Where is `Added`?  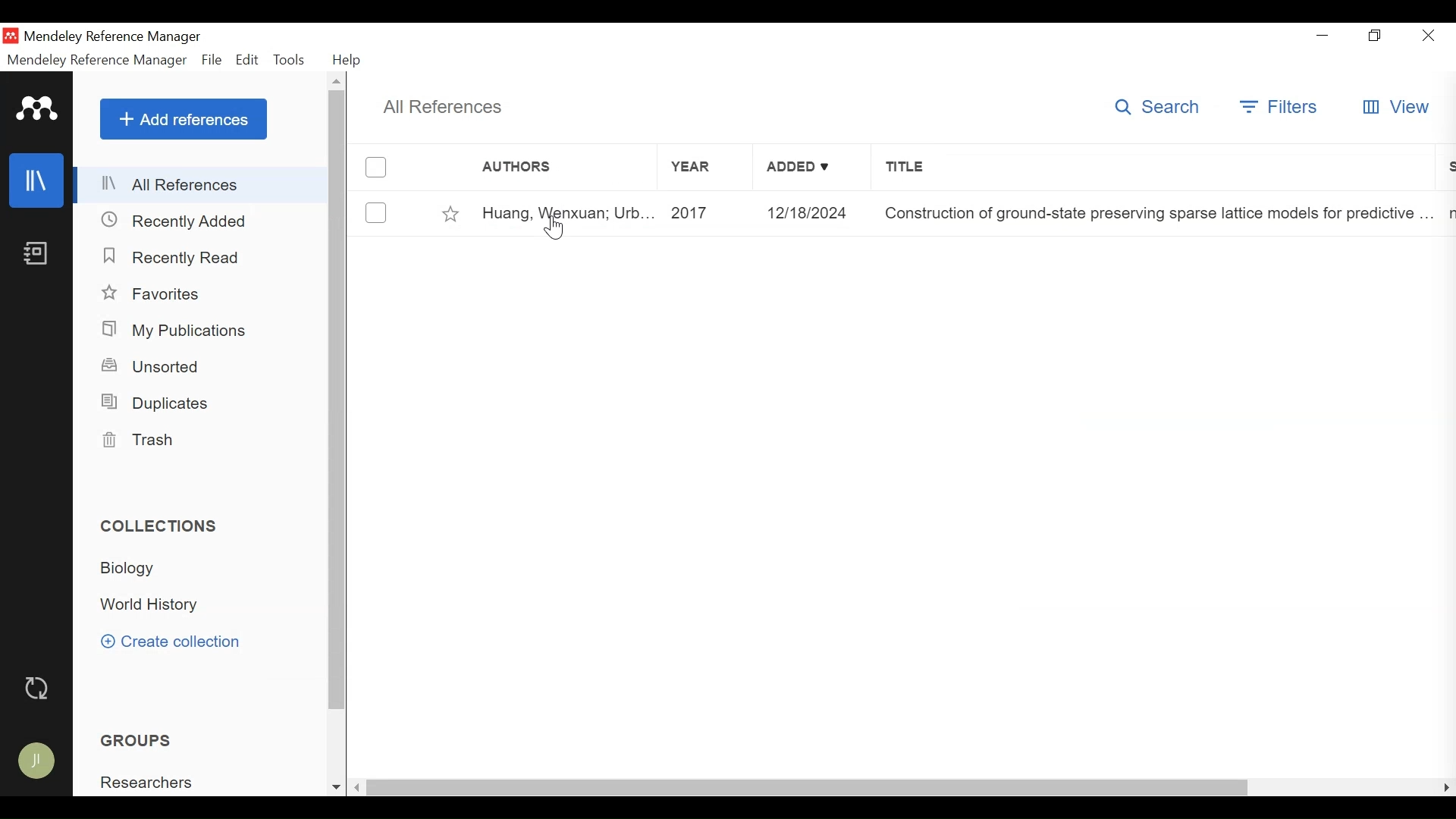 Added is located at coordinates (811, 168).